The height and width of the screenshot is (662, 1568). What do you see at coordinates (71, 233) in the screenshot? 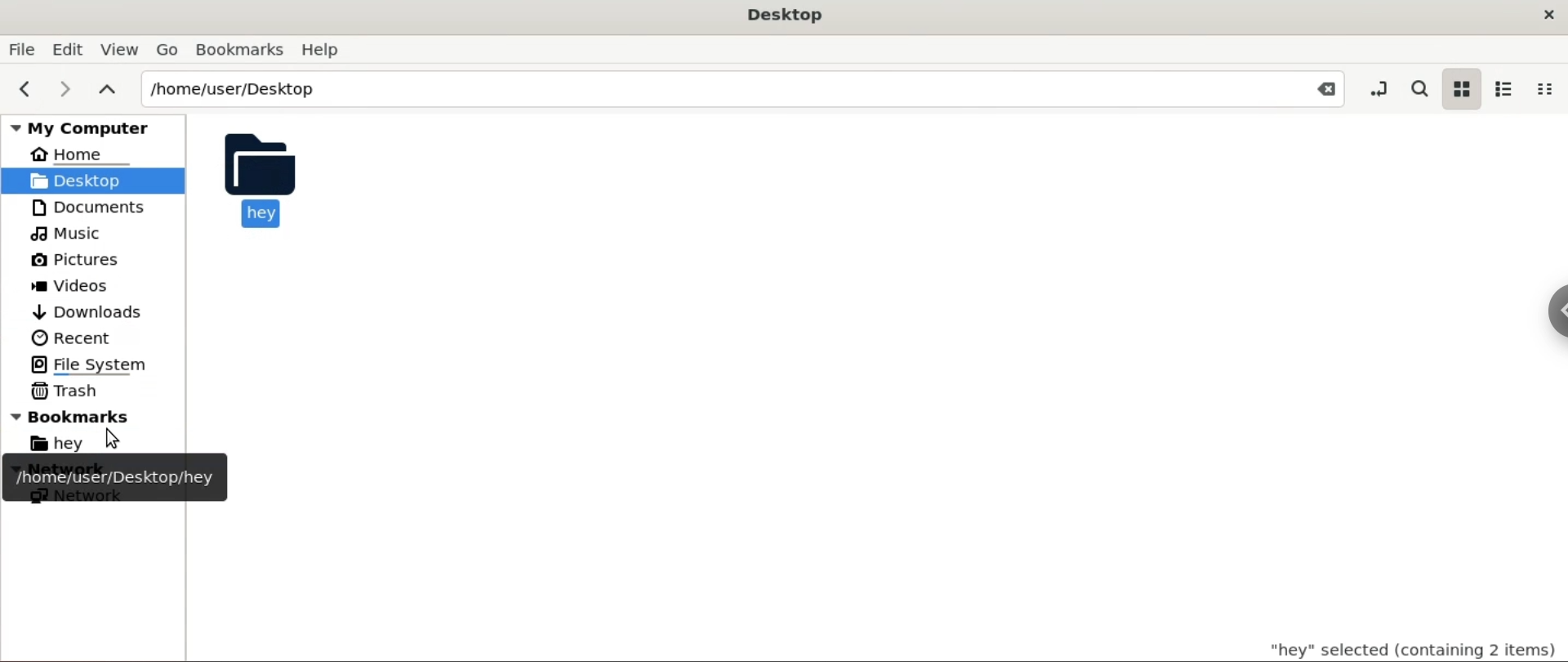
I see `Music` at bounding box center [71, 233].